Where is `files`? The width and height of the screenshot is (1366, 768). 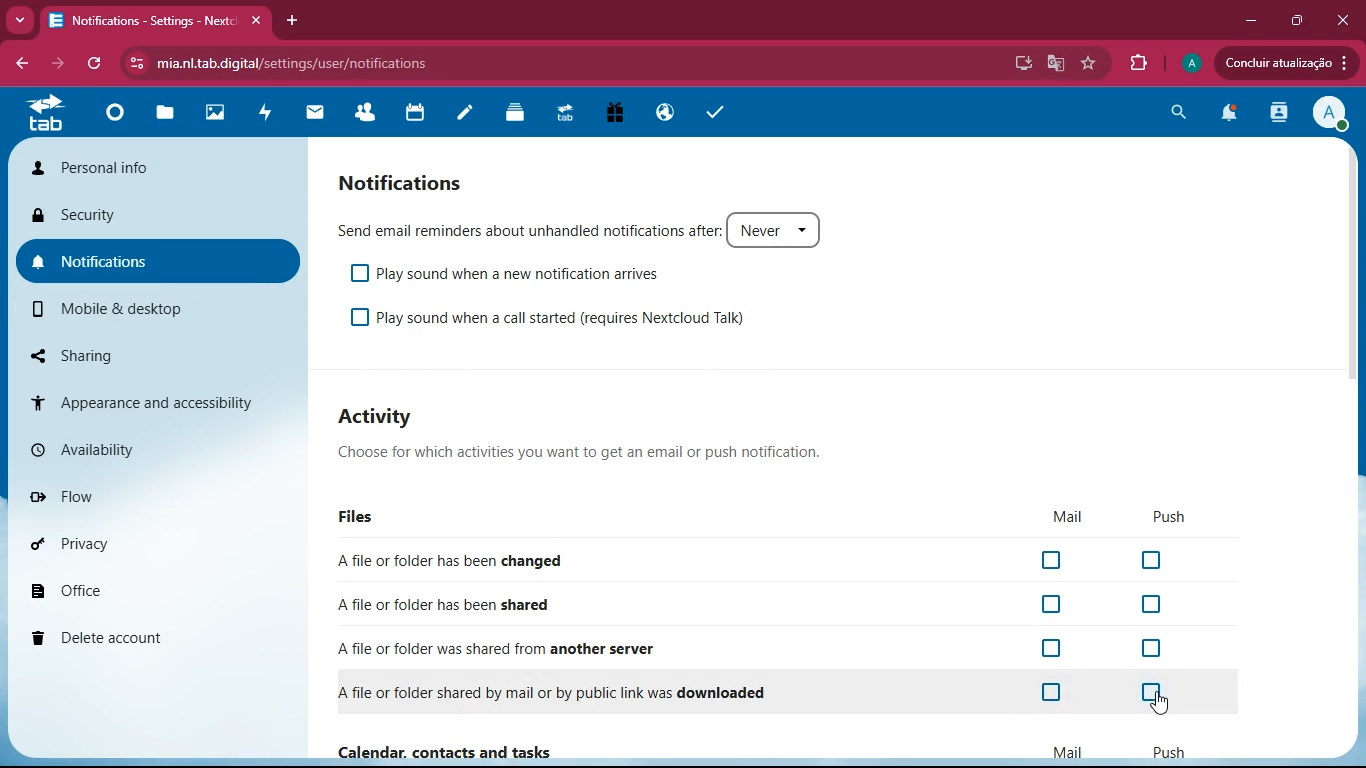 files is located at coordinates (163, 115).